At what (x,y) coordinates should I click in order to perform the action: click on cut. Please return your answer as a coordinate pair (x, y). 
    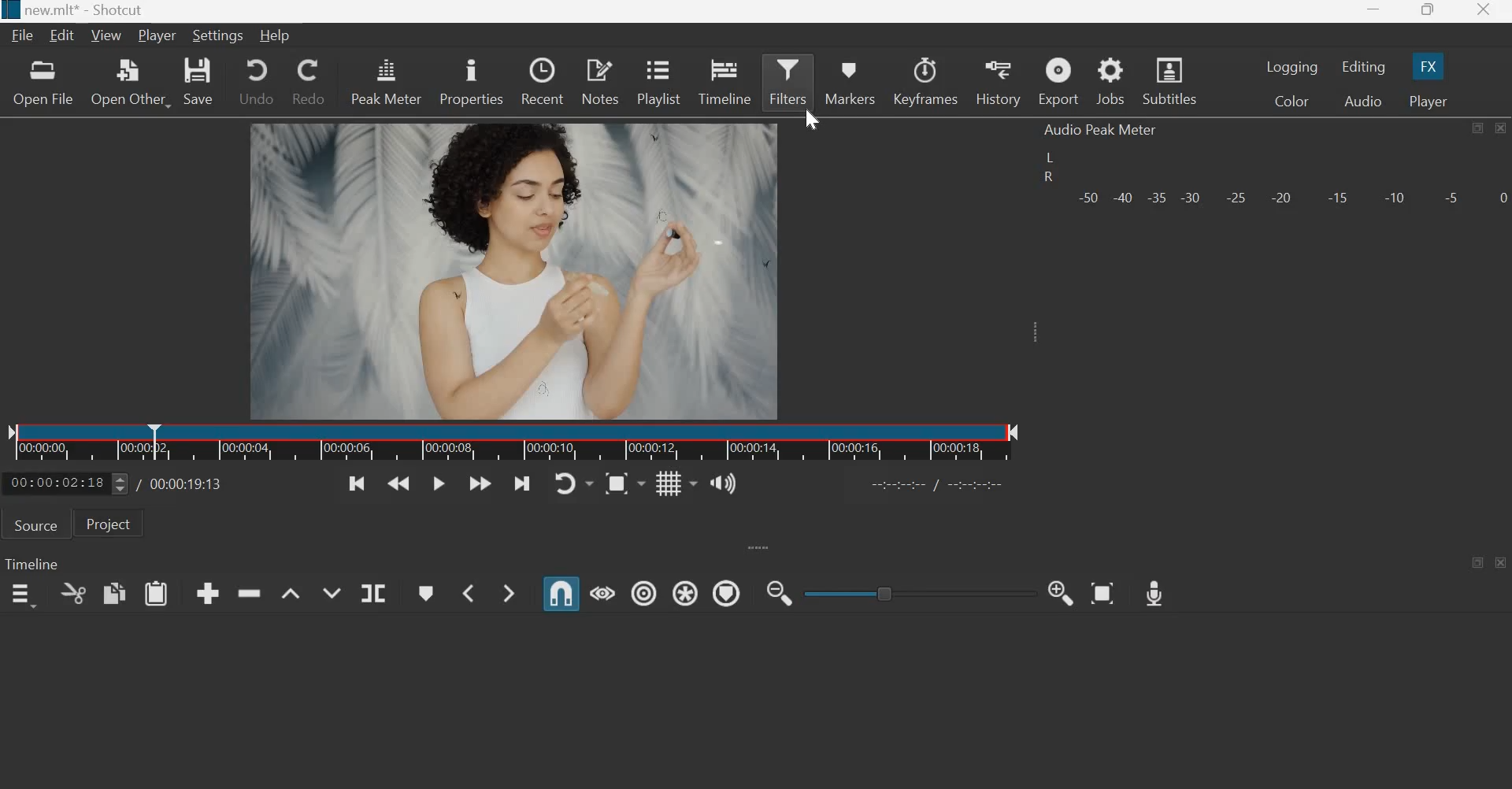
    Looking at the image, I should click on (74, 593).